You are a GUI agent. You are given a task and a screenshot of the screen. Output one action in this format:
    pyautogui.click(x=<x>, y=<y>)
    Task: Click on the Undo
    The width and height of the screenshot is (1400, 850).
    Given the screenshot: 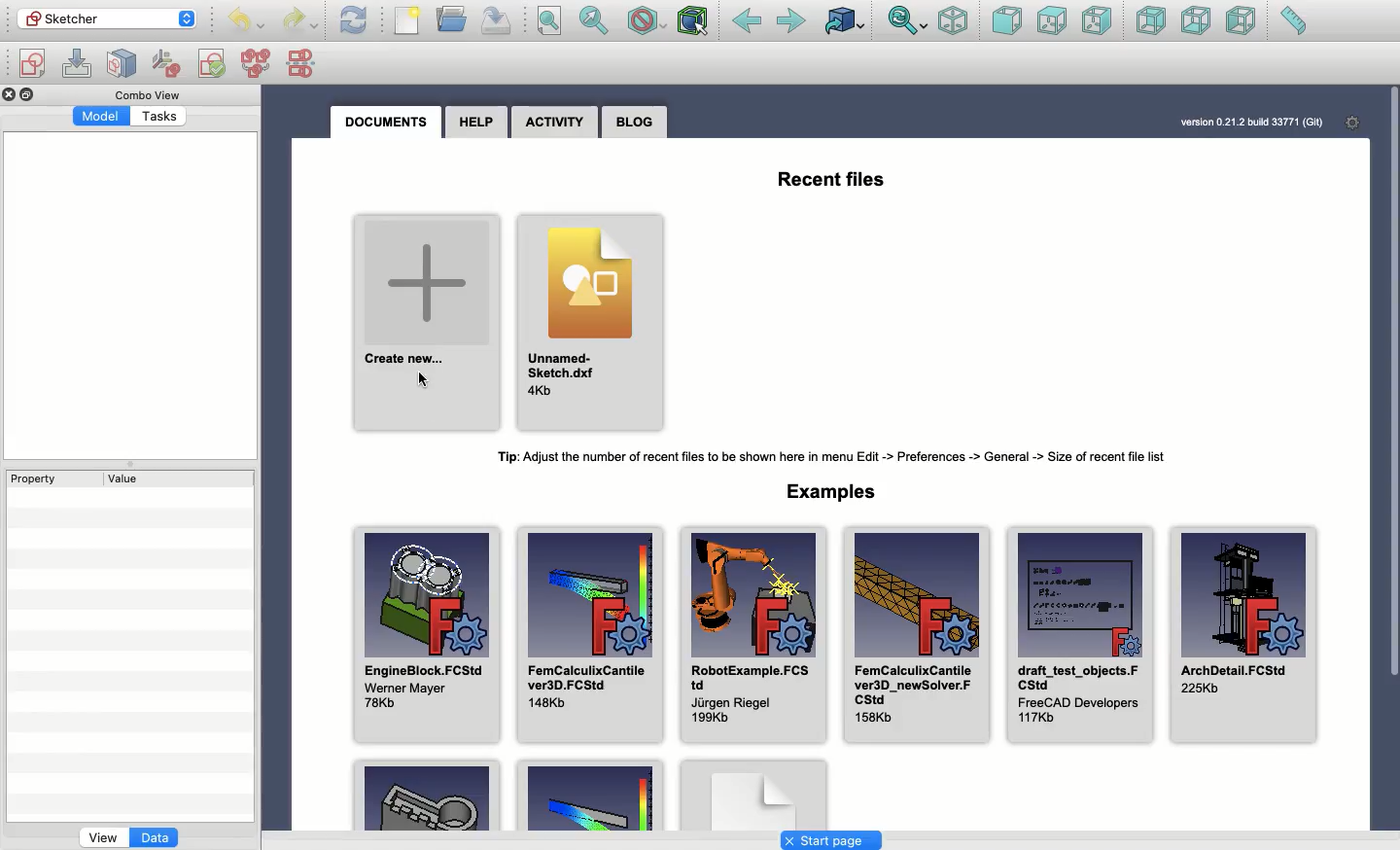 What is the action you would take?
    pyautogui.click(x=249, y=22)
    